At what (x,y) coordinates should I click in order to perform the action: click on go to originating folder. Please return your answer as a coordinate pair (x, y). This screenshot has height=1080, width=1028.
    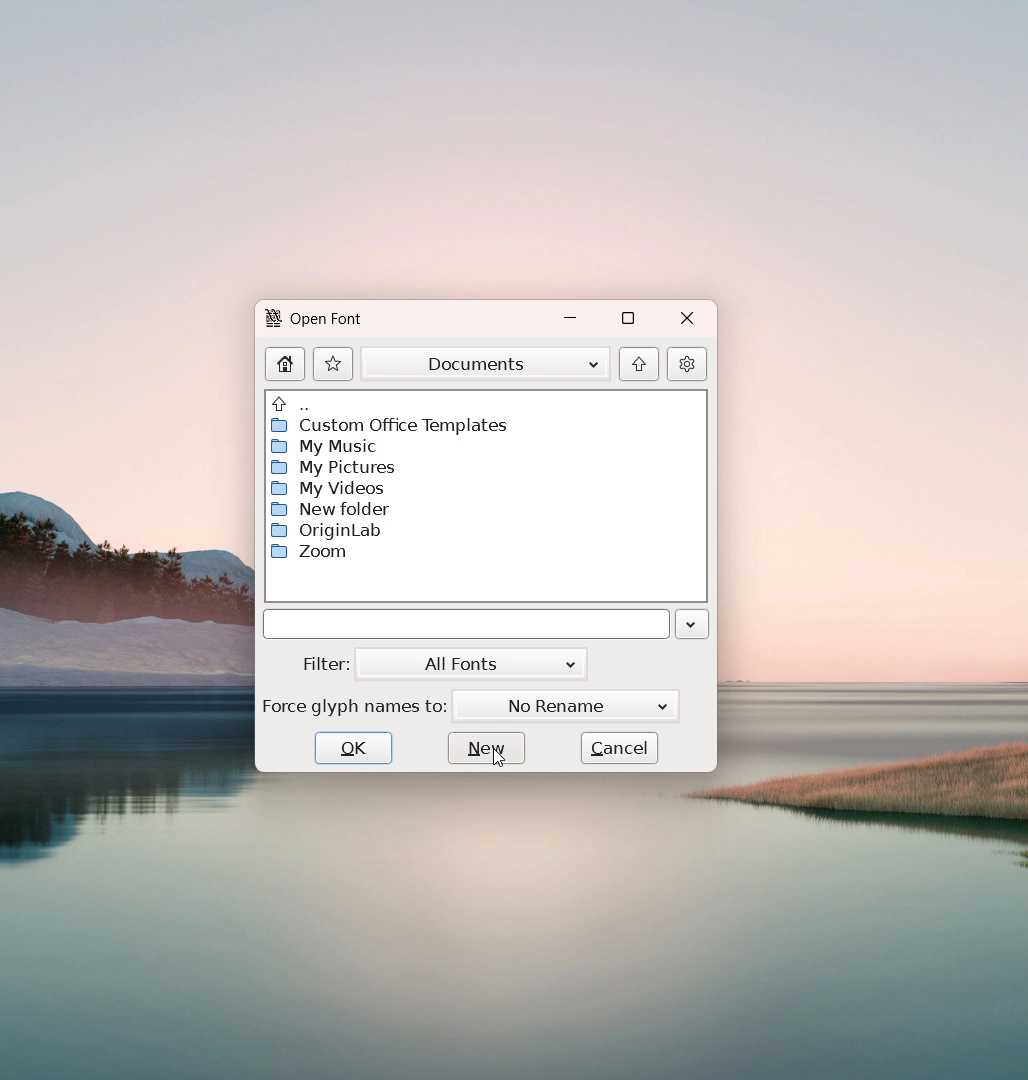
    Looking at the image, I should click on (638, 364).